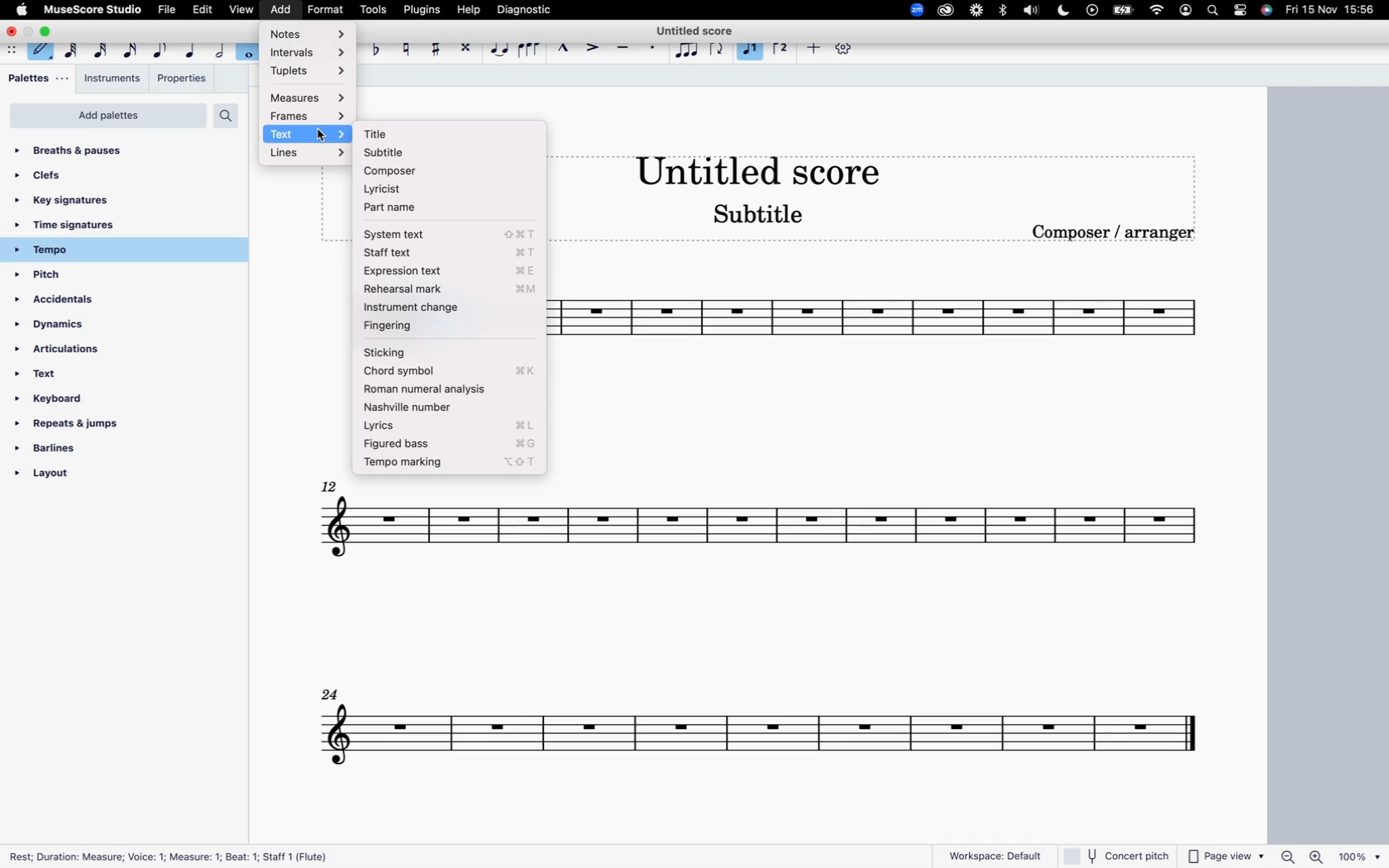  What do you see at coordinates (943, 12) in the screenshot?
I see `creative cloud` at bounding box center [943, 12].